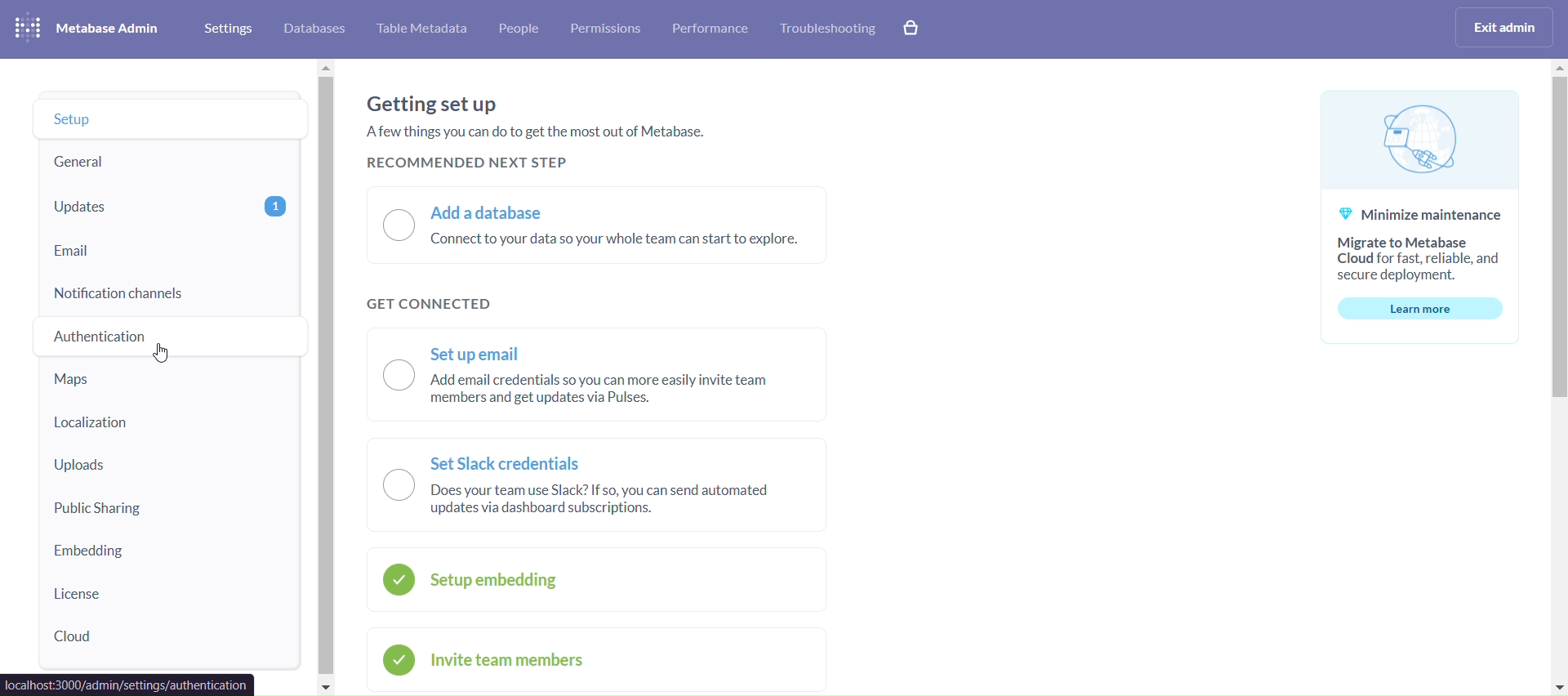 The image size is (1568, 696). What do you see at coordinates (225, 29) in the screenshot?
I see `settings` at bounding box center [225, 29].